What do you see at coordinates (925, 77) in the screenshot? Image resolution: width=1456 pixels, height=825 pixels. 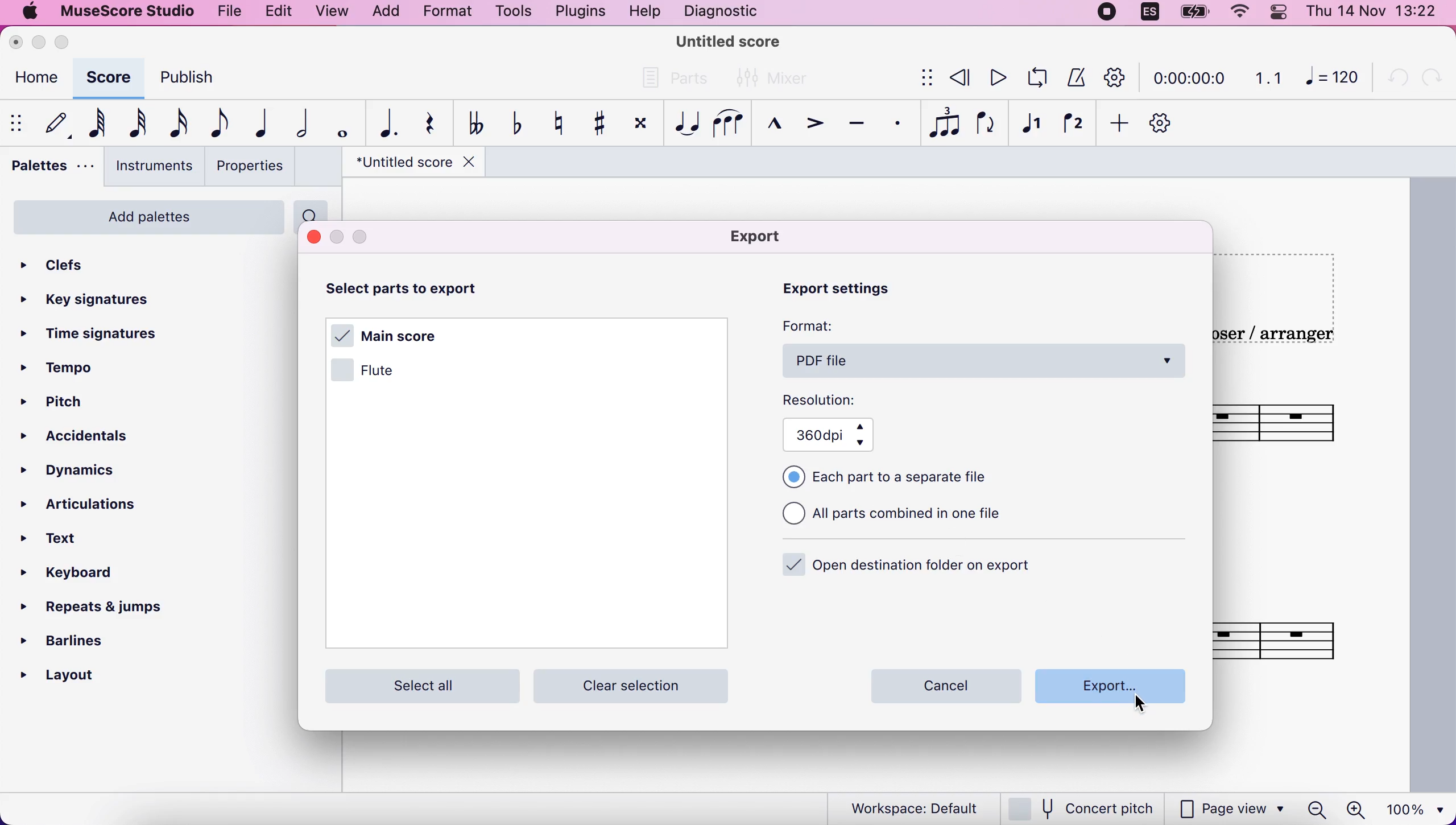 I see `show/hide` at bounding box center [925, 77].